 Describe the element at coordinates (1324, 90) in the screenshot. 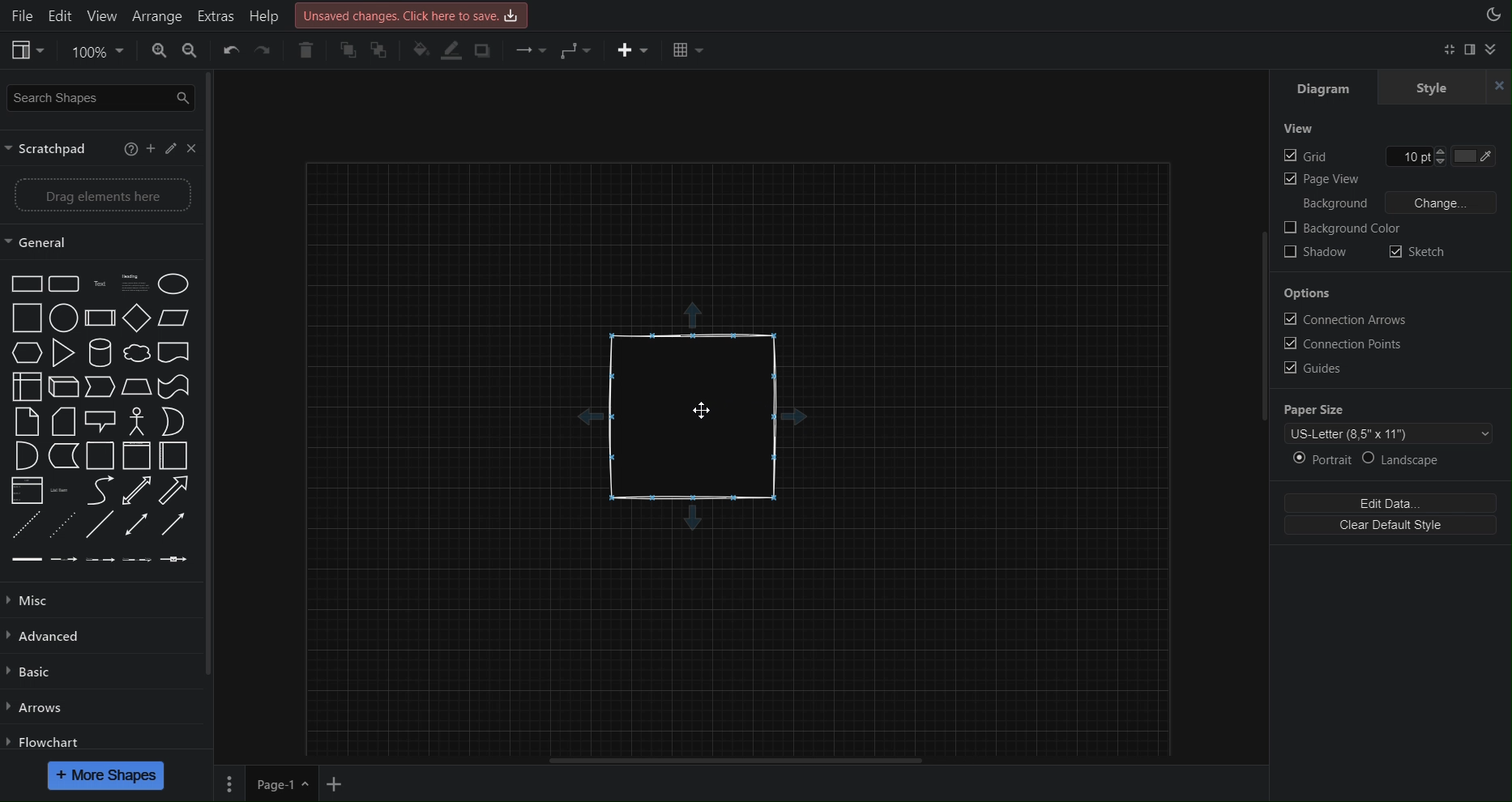

I see `Diagram` at that location.